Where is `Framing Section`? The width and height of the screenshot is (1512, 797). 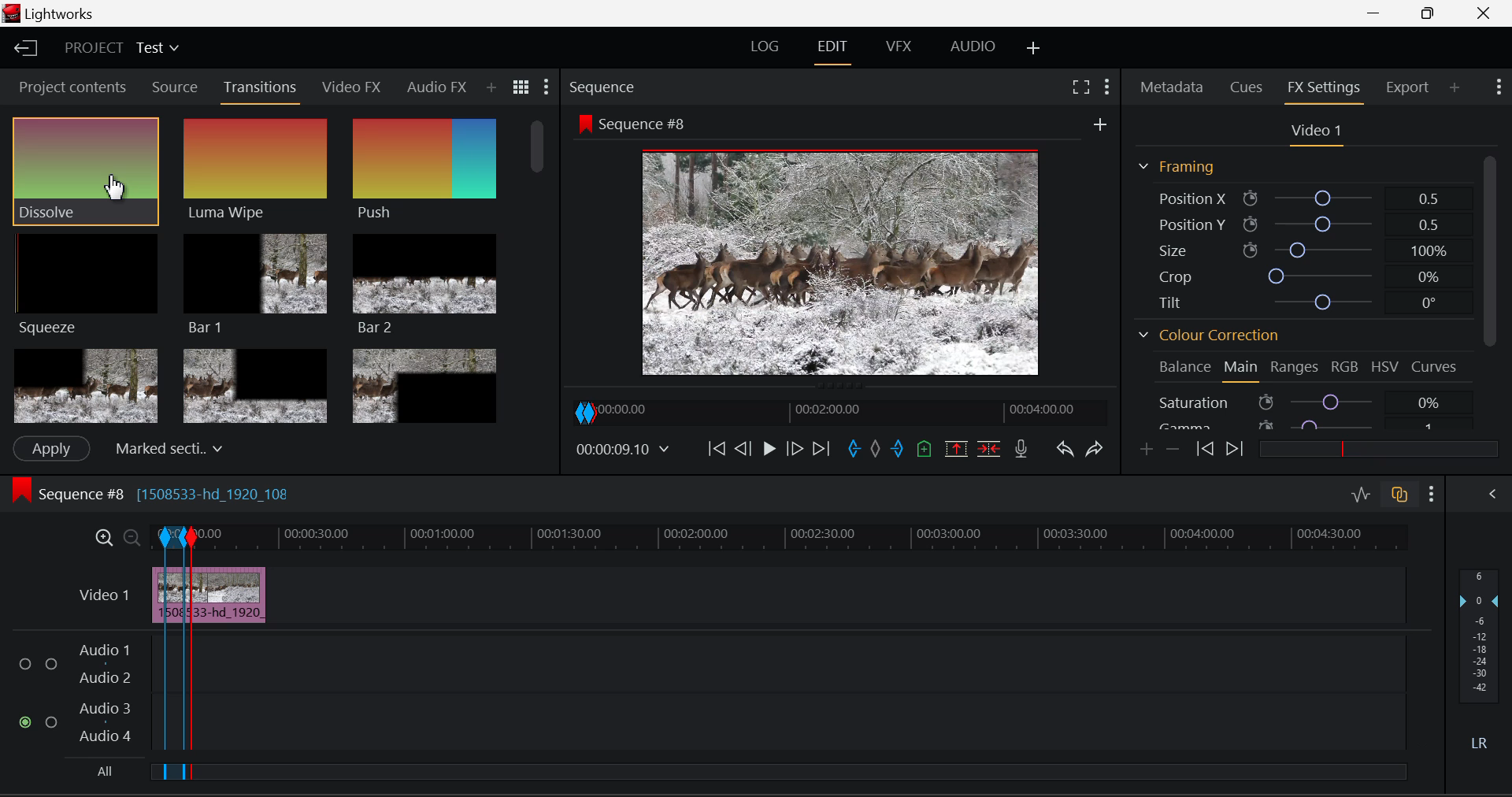
Framing Section is located at coordinates (1185, 167).